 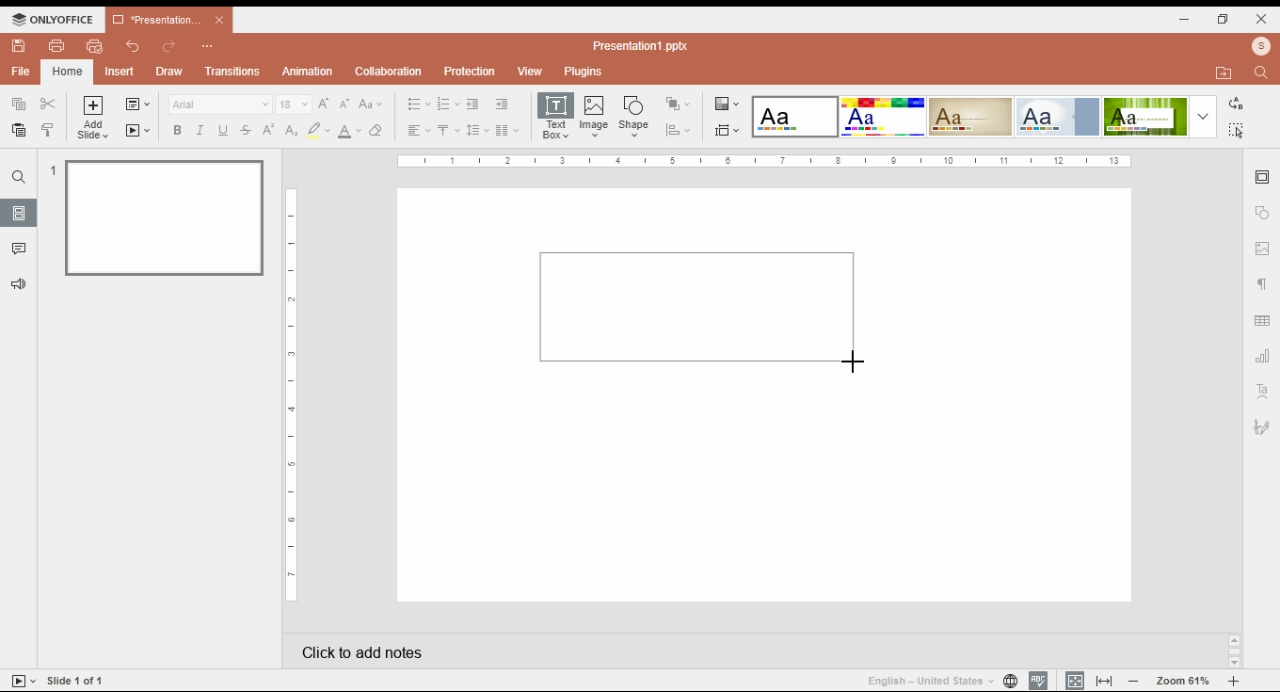 What do you see at coordinates (76, 680) in the screenshot?
I see `Slide 1 of 1` at bounding box center [76, 680].